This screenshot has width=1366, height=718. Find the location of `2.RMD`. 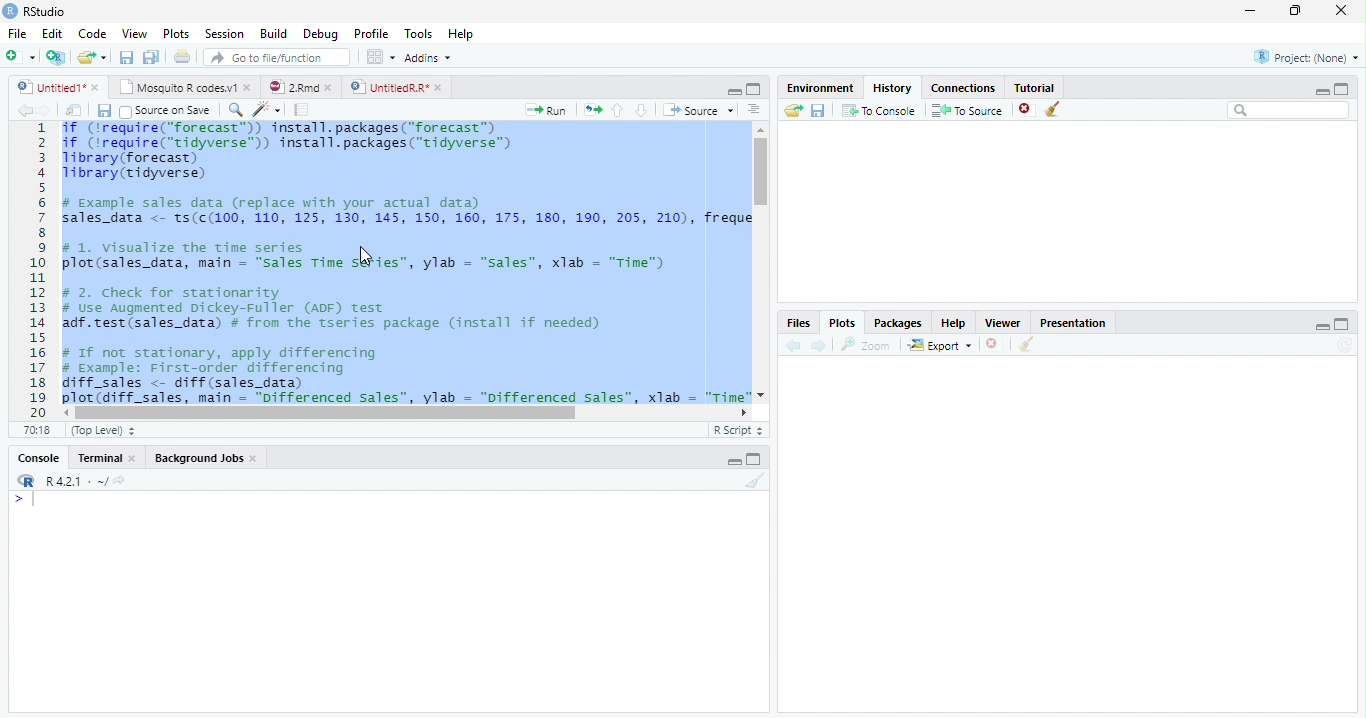

2.RMD is located at coordinates (300, 87).